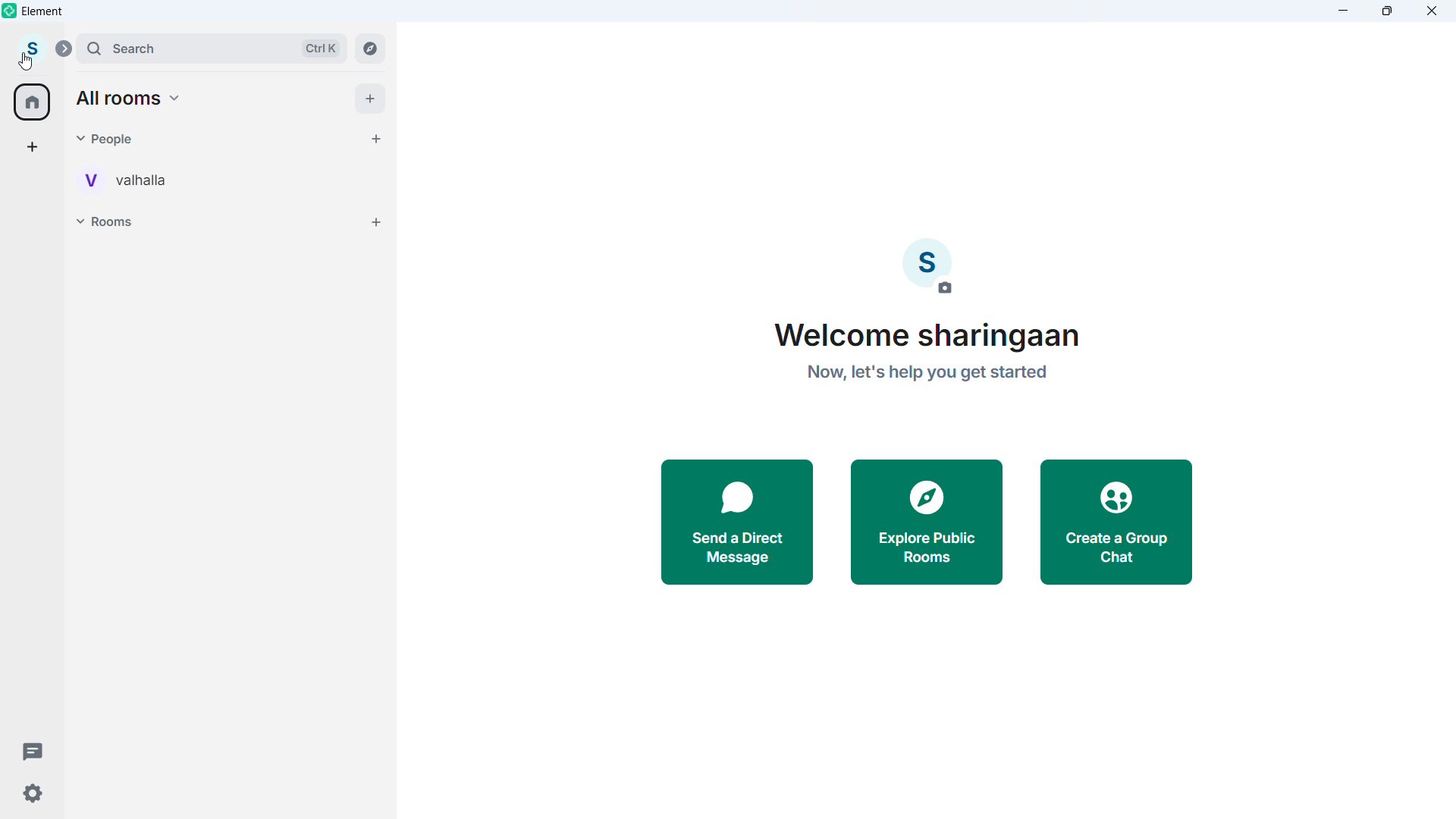  I want to click on Create a group chat , so click(1115, 523).